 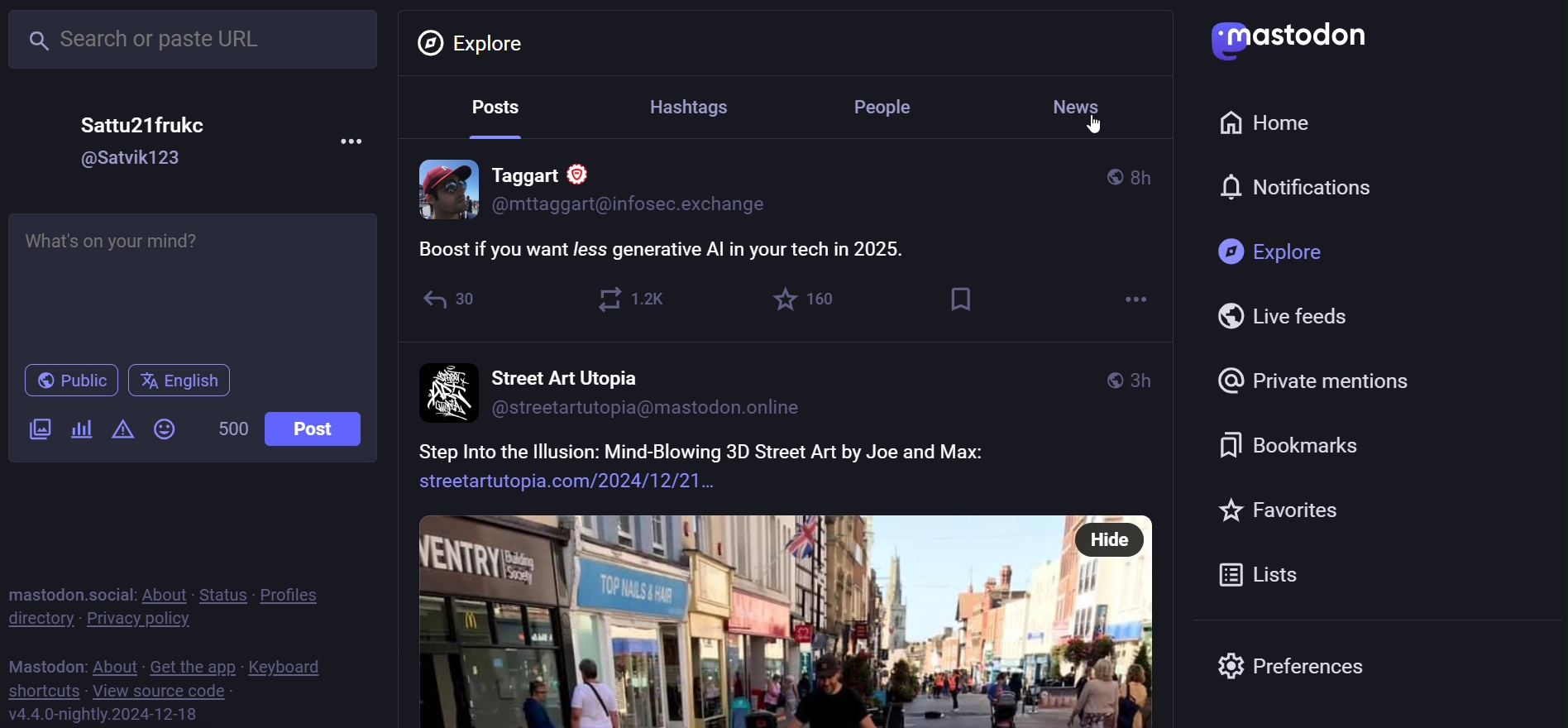 I want to click on news, so click(x=1081, y=105).